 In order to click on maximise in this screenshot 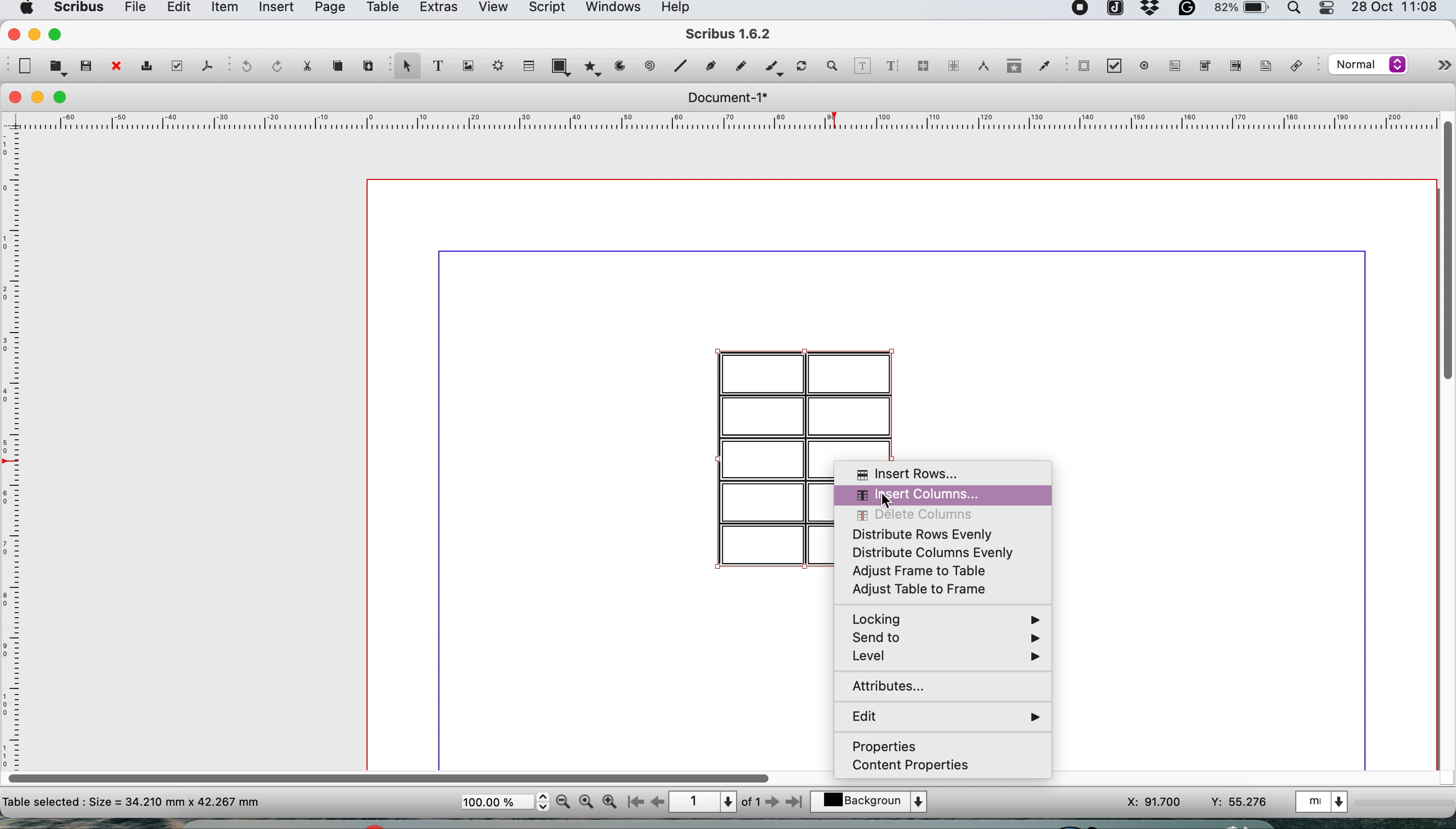, I will do `click(64, 98)`.